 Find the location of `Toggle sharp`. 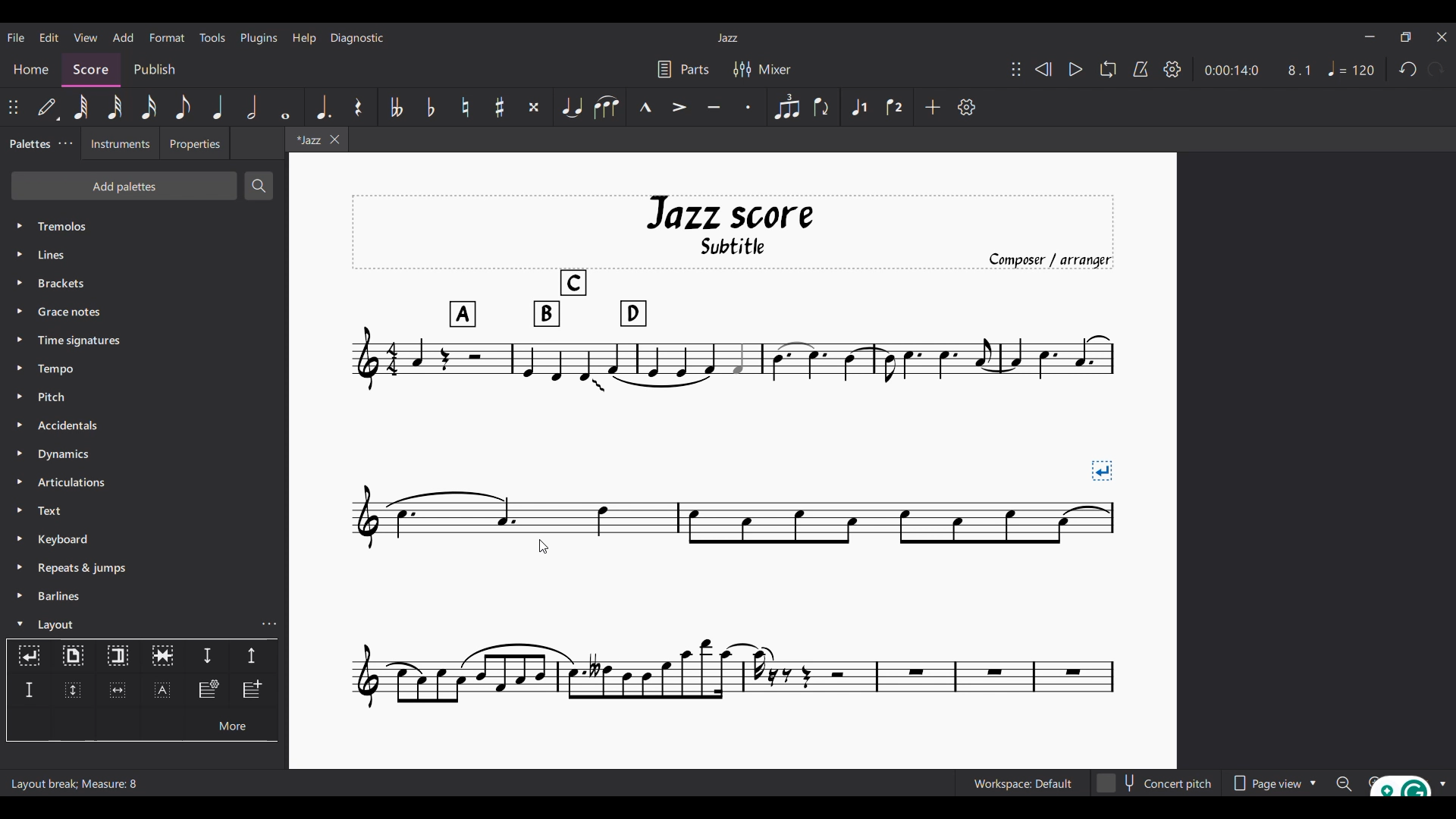

Toggle sharp is located at coordinates (500, 107).